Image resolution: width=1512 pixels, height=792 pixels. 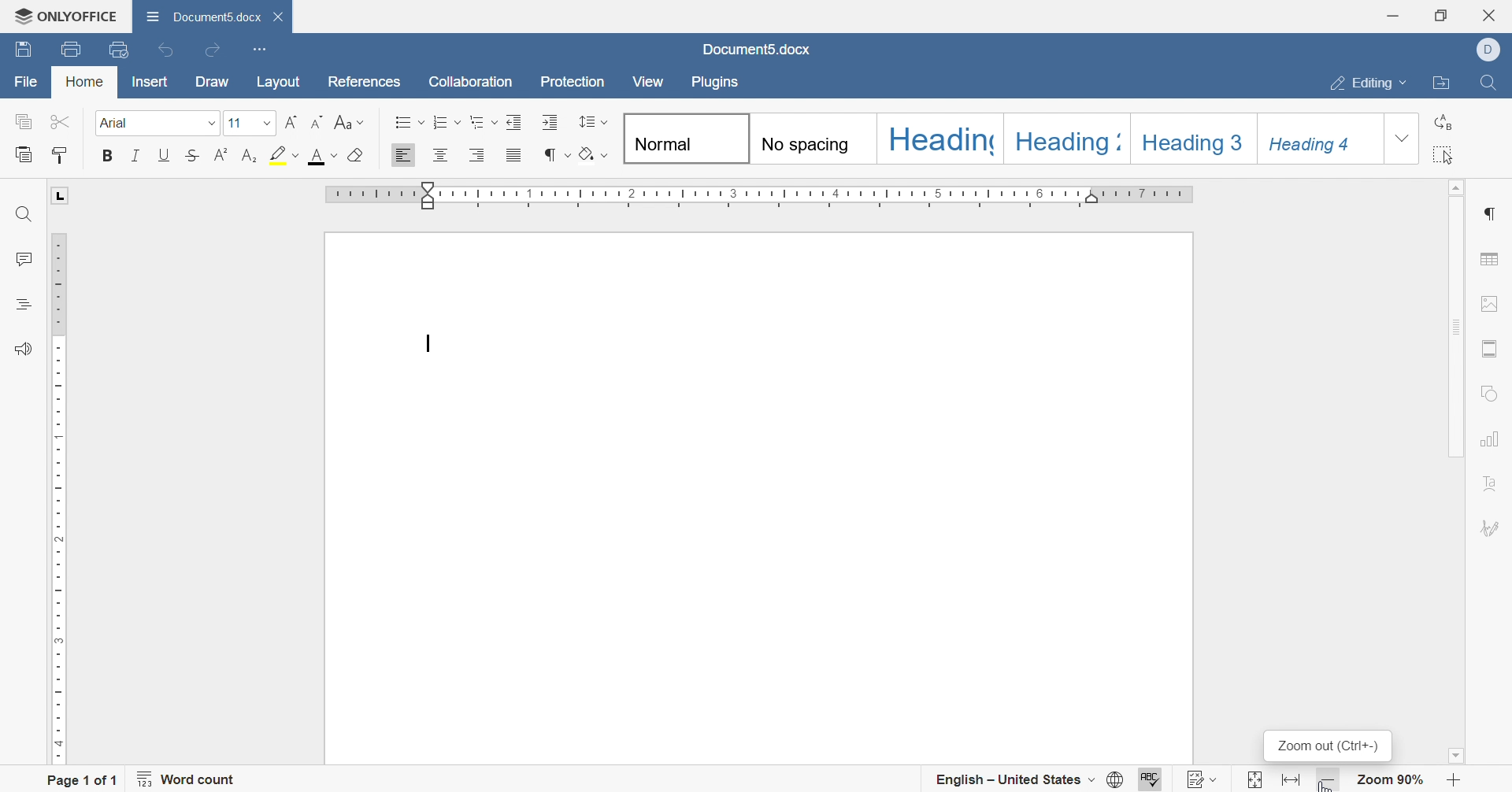 What do you see at coordinates (1392, 781) in the screenshot?
I see `zoom 90%` at bounding box center [1392, 781].